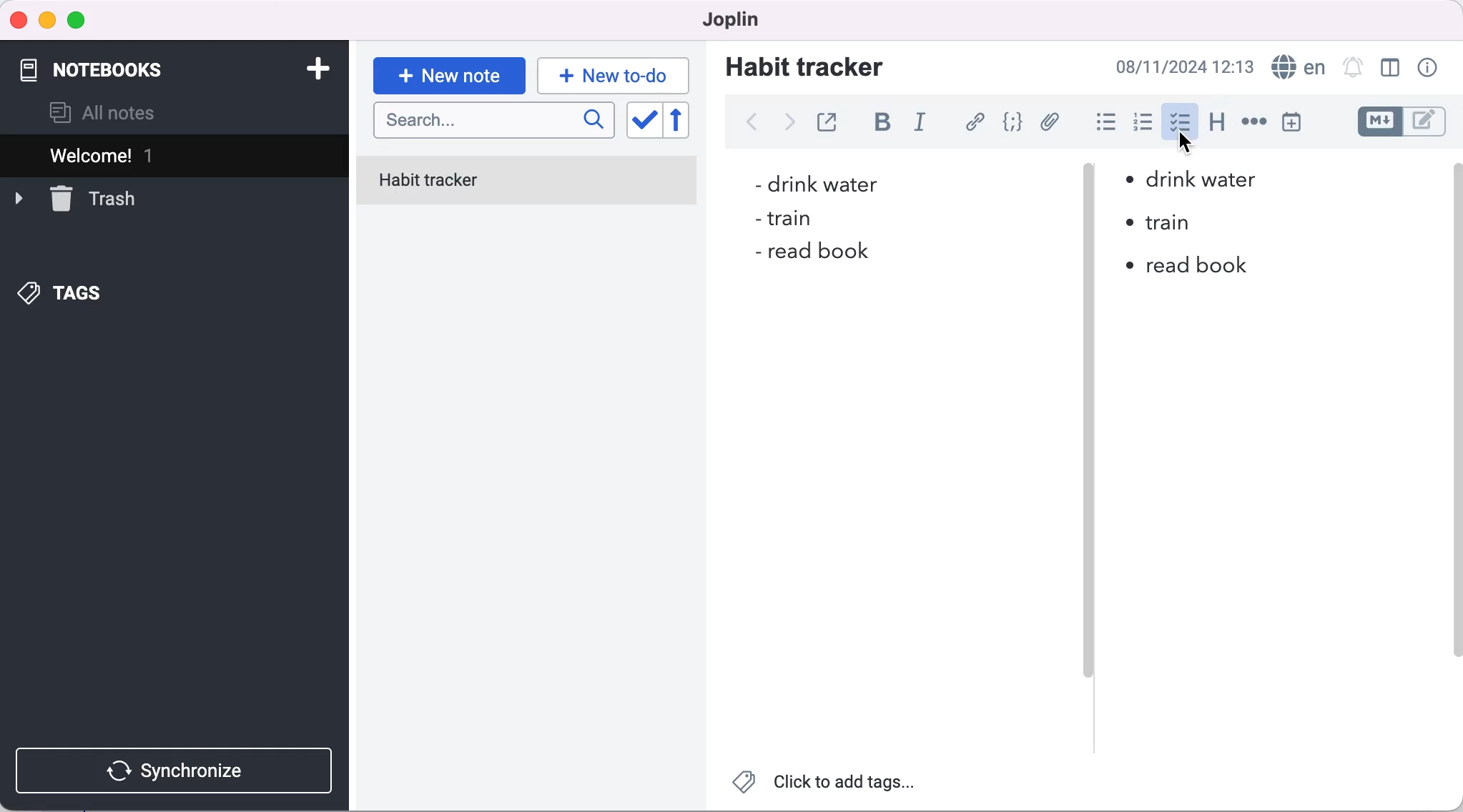 Image resolution: width=1463 pixels, height=812 pixels. Describe the element at coordinates (1187, 147) in the screenshot. I see `cursor` at that location.